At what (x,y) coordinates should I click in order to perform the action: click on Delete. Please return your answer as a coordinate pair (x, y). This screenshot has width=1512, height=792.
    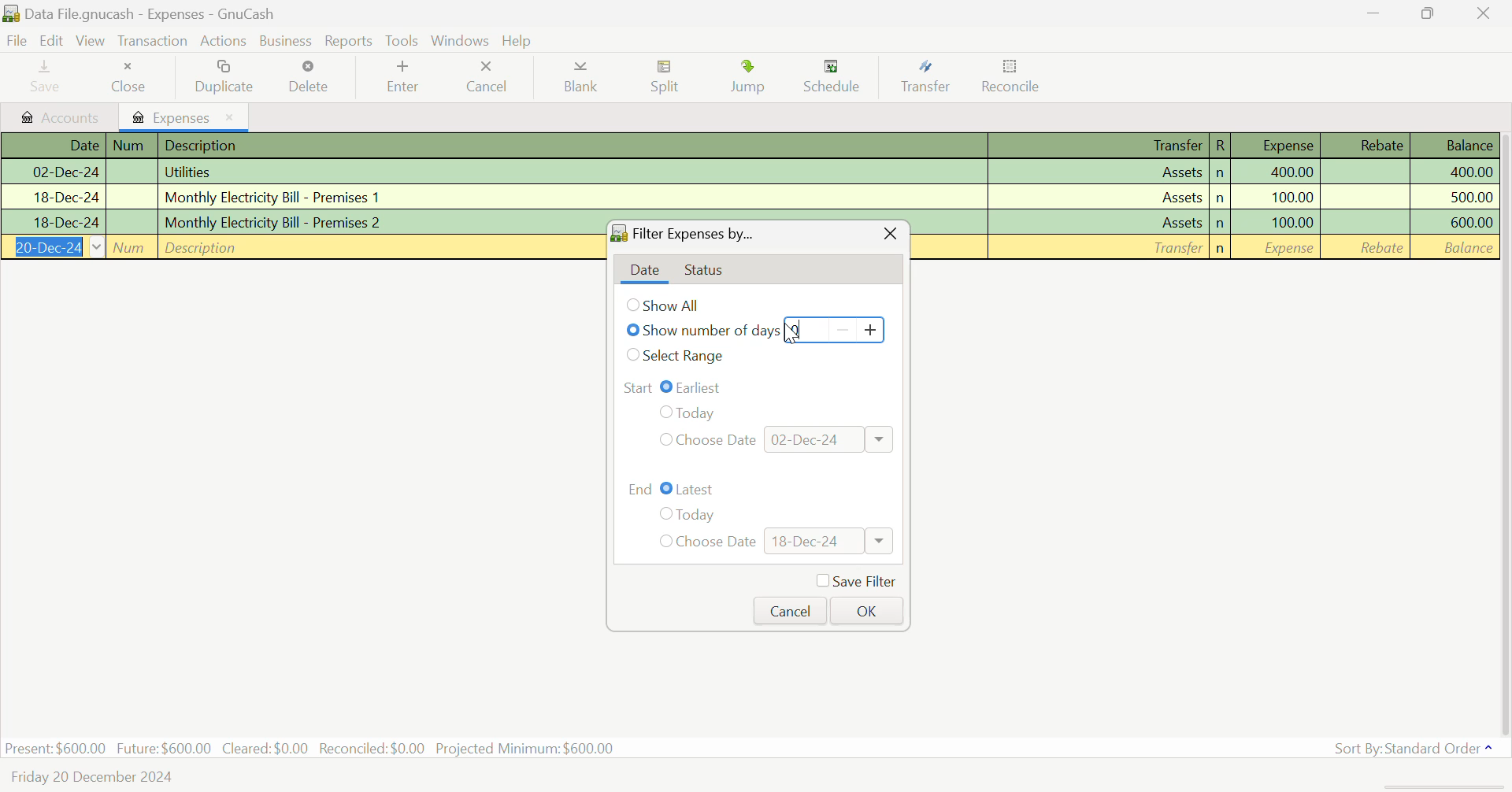
    Looking at the image, I should click on (315, 76).